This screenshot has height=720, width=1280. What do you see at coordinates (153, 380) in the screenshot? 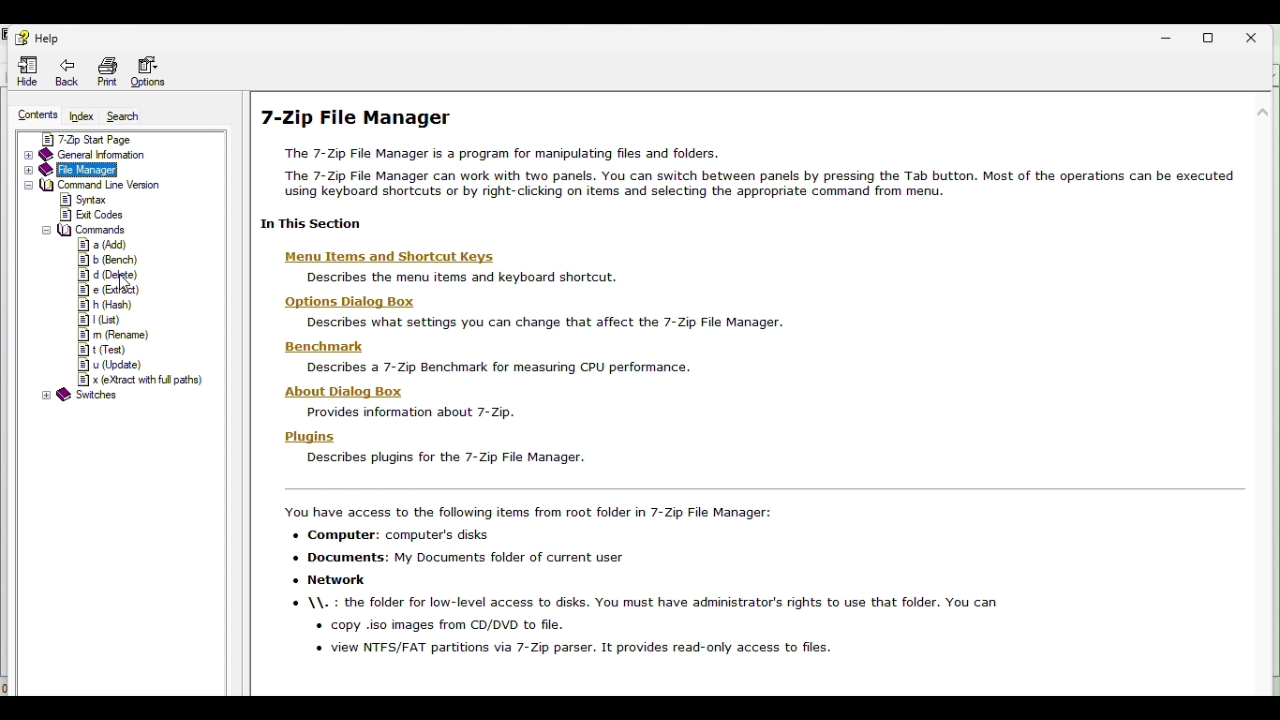
I see `x` at bounding box center [153, 380].